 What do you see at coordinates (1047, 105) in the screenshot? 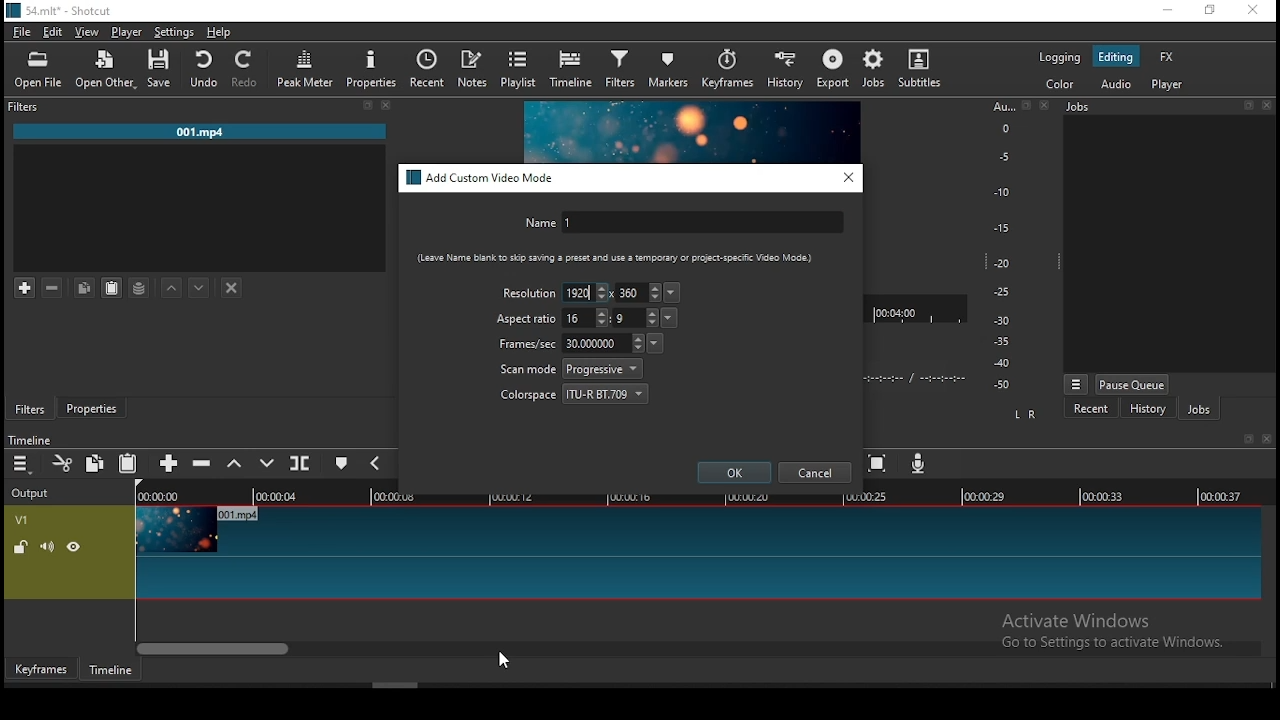
I see `close` at bounding box center [1047, 105].